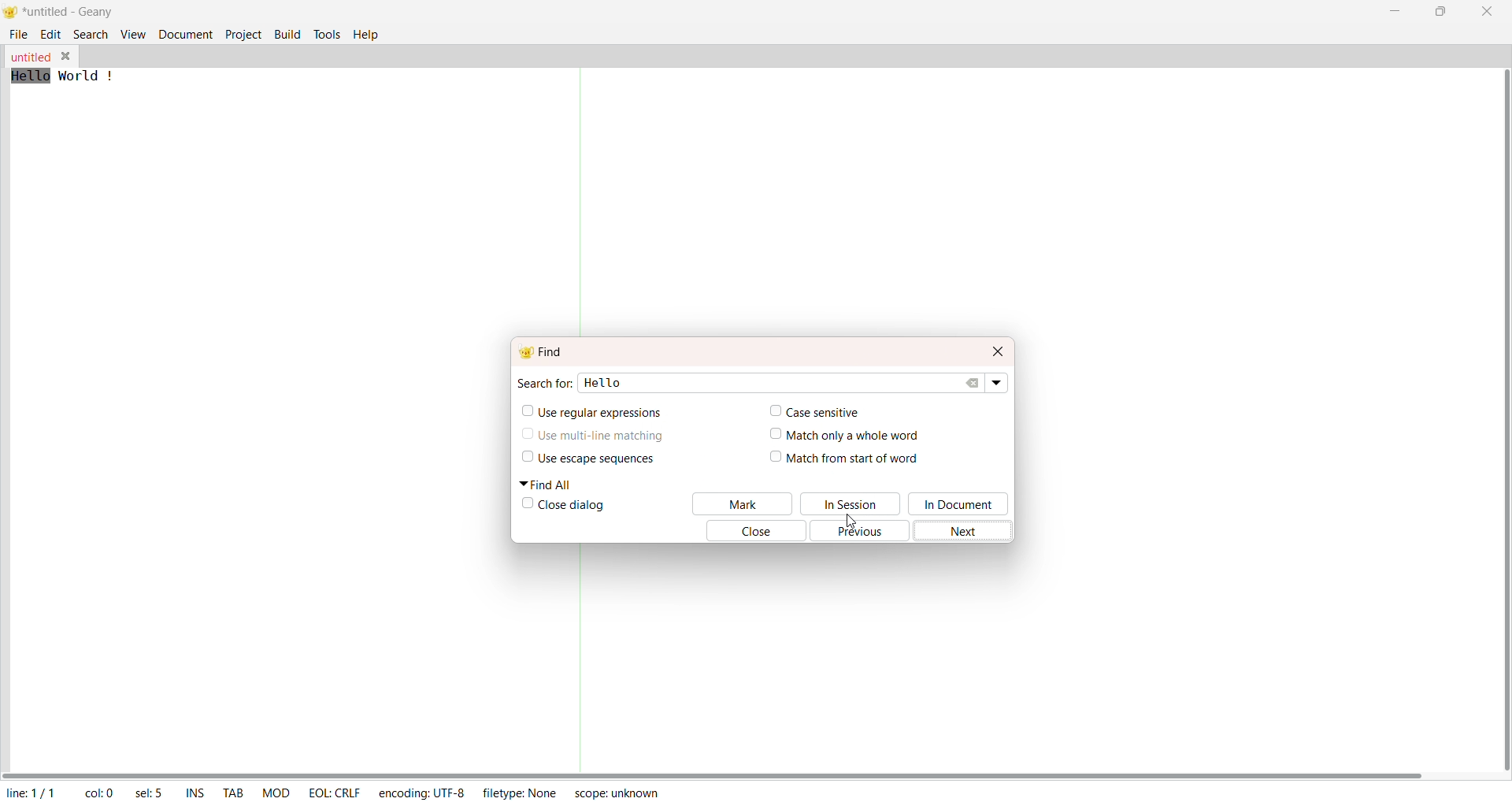 This screenshot has height=802, width=1512. What do you see at coordinates (858, 459) in the screenshot?
I see `Match from start of word` at bounding box center [858, 459].